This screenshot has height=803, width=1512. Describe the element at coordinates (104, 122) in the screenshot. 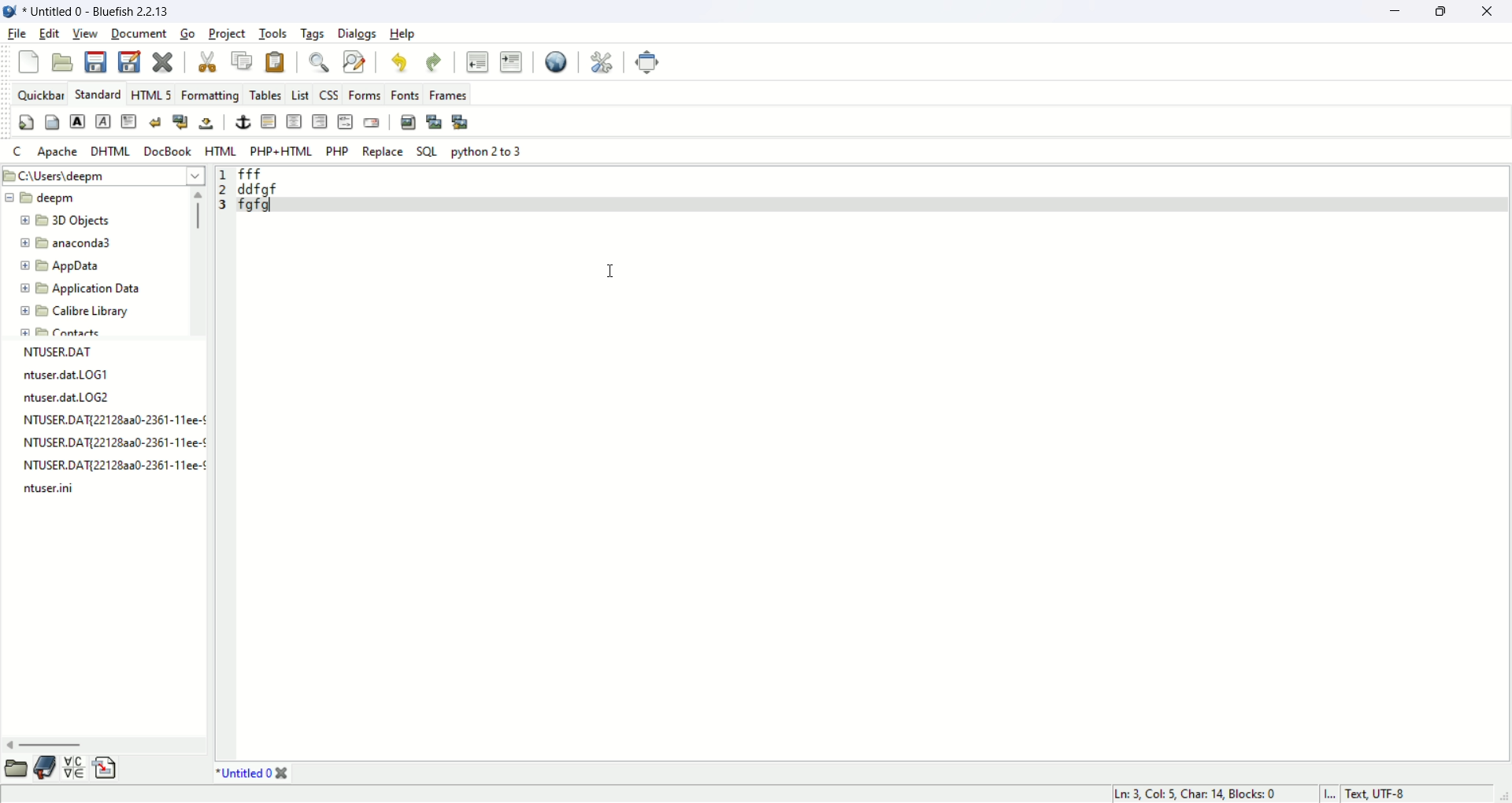

I see `emphasis` at that location.